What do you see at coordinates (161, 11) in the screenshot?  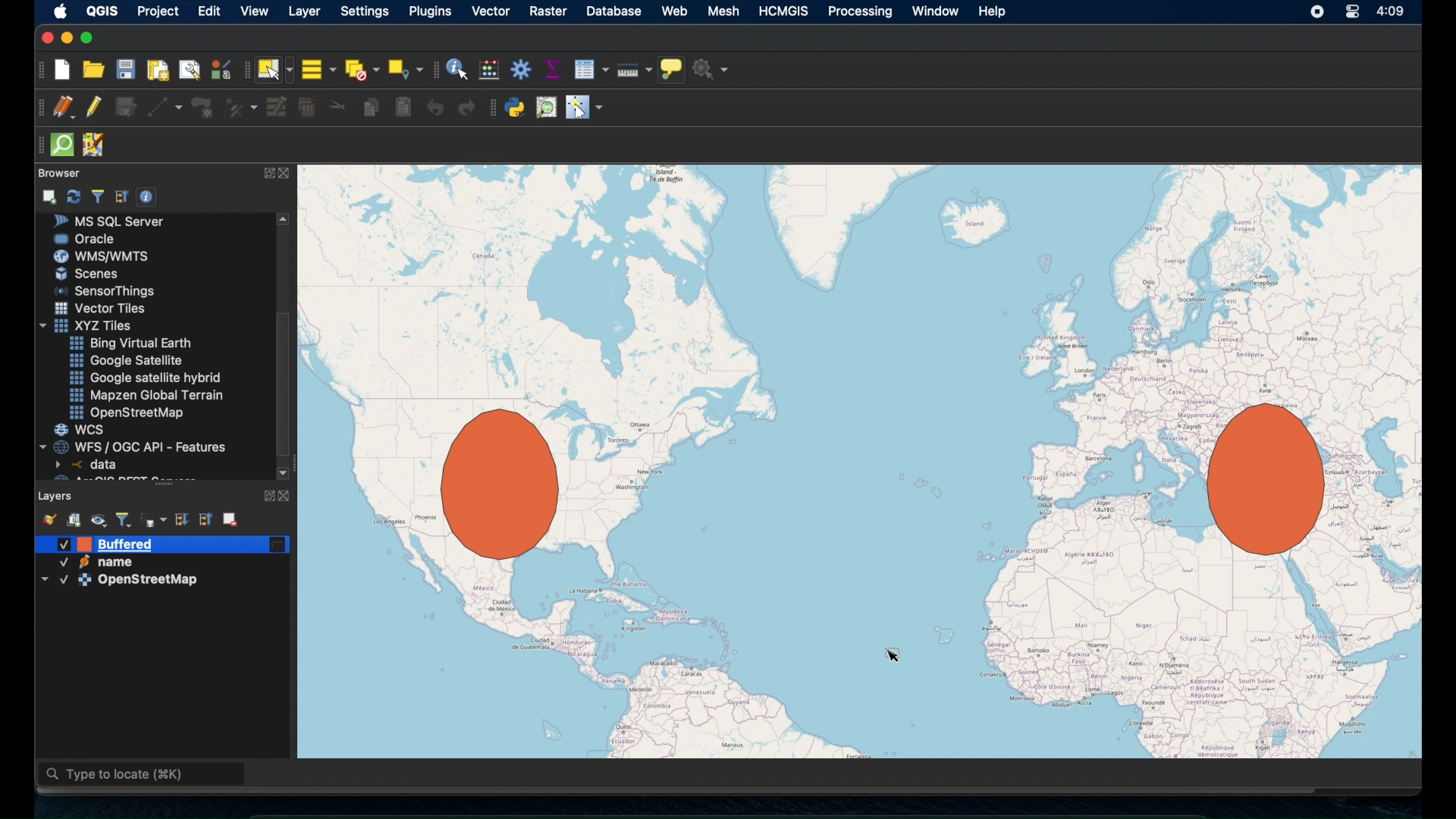 I see `project` at bounding box center [161, 11].